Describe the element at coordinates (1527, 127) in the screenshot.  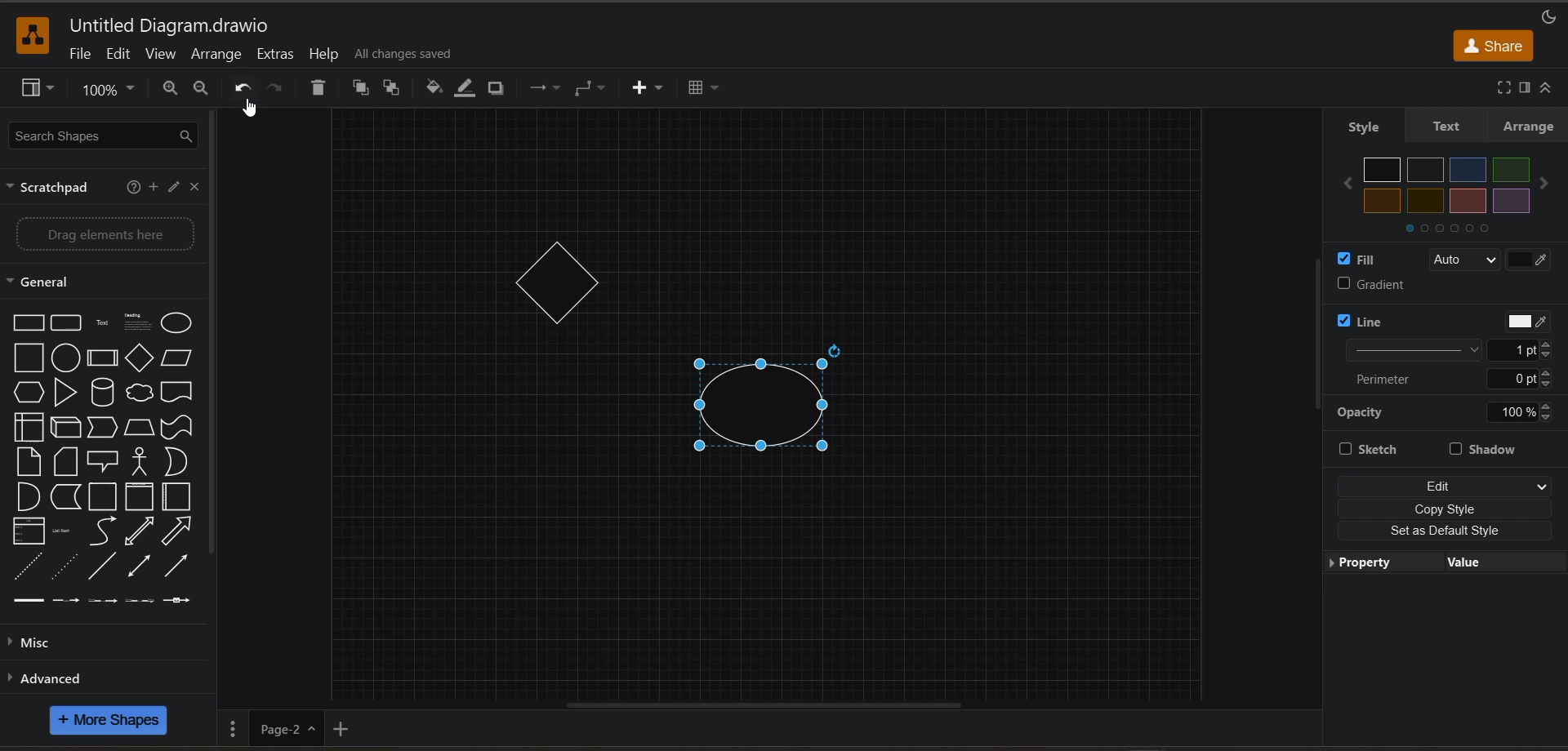
I see `arrange` at that location.